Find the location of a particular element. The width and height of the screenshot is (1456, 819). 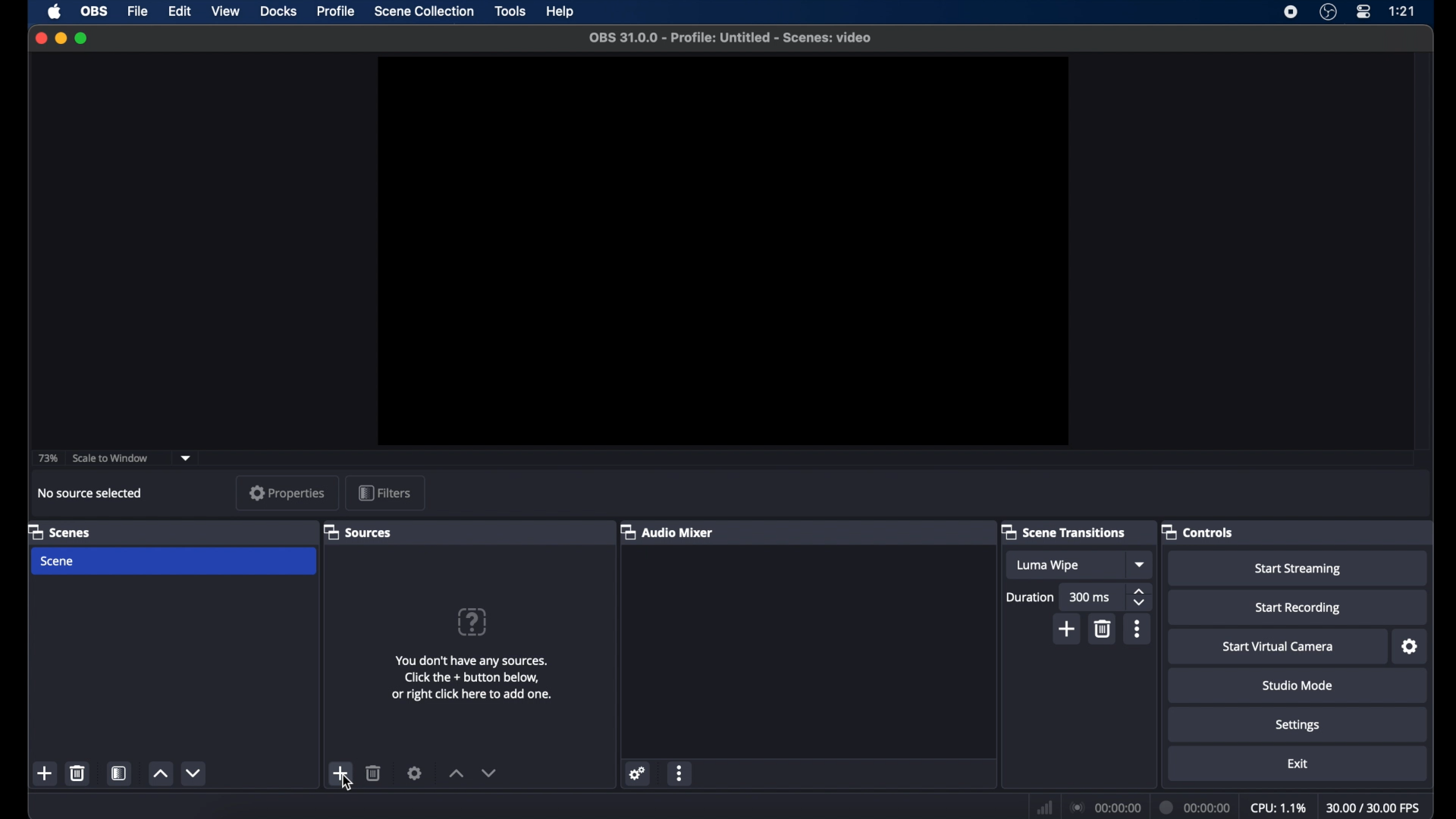

duration is located at coordinates (1195, 807).